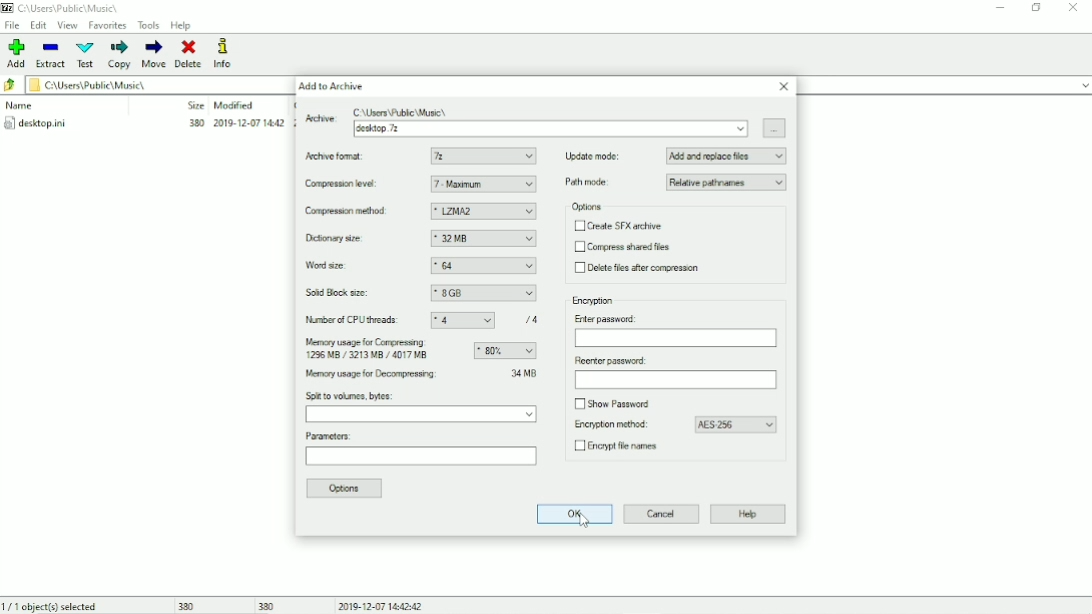 This screenshot has height=614, width=1092. What do you see at coordinates (662, 514) in the screenshot?
I see `Cancel` at bounding box center [662, 514].